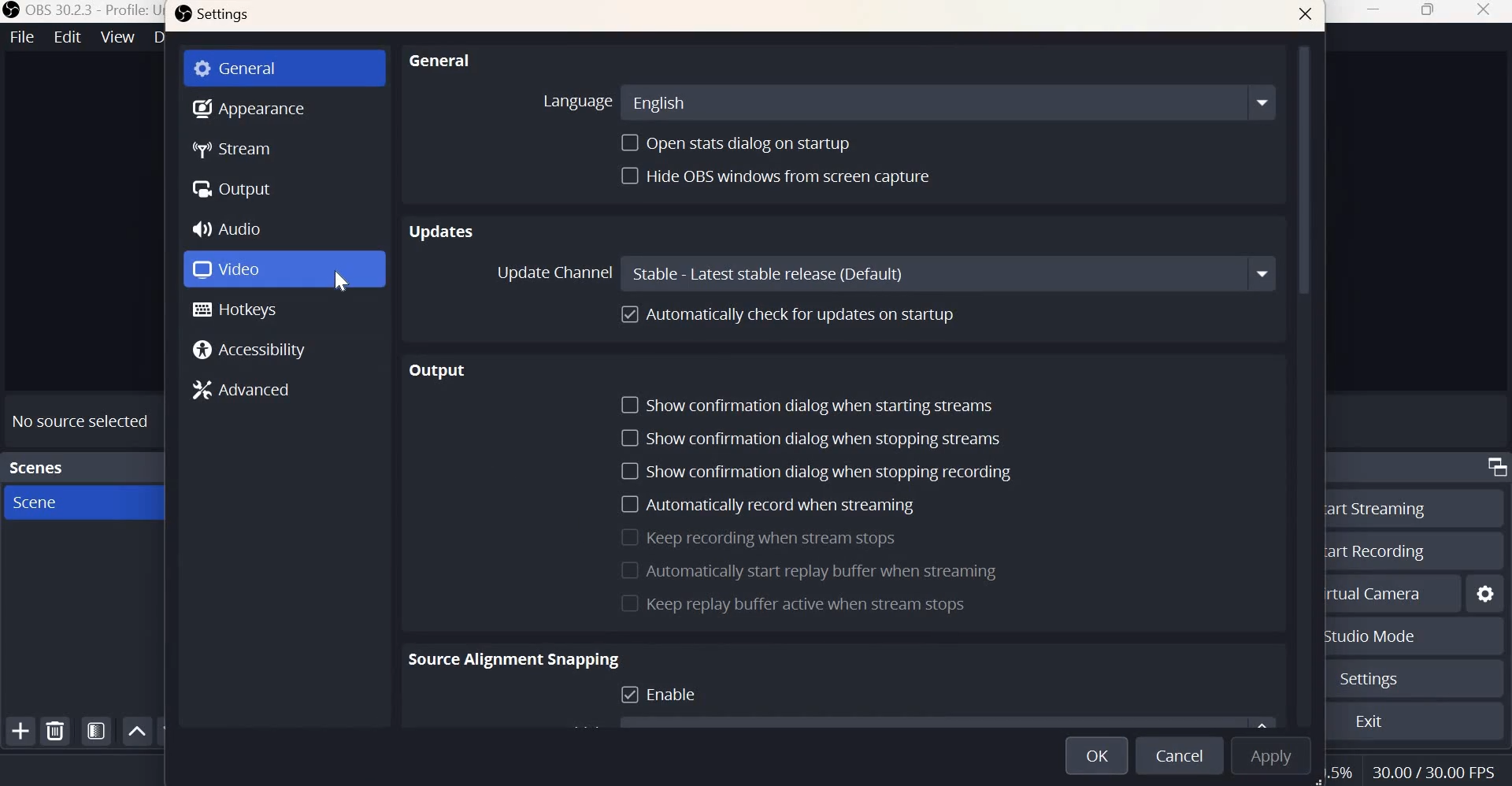  What do you see at coordinates (774, 176) in the screenshot?
I see `Hide OBS windows from screen capture` at bounding box center [774, 176].